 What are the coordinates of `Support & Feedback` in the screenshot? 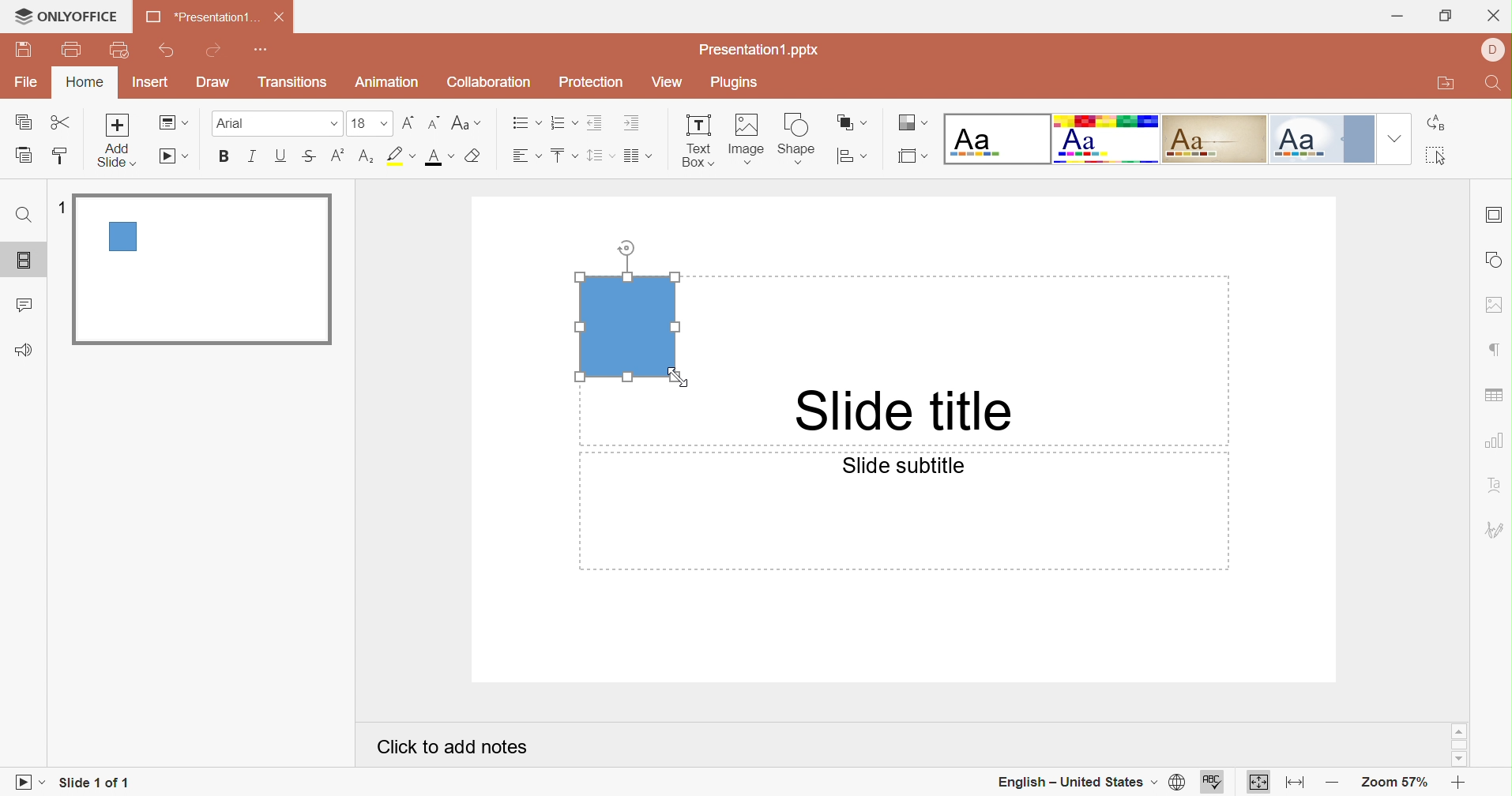 It's located at (23, 351).